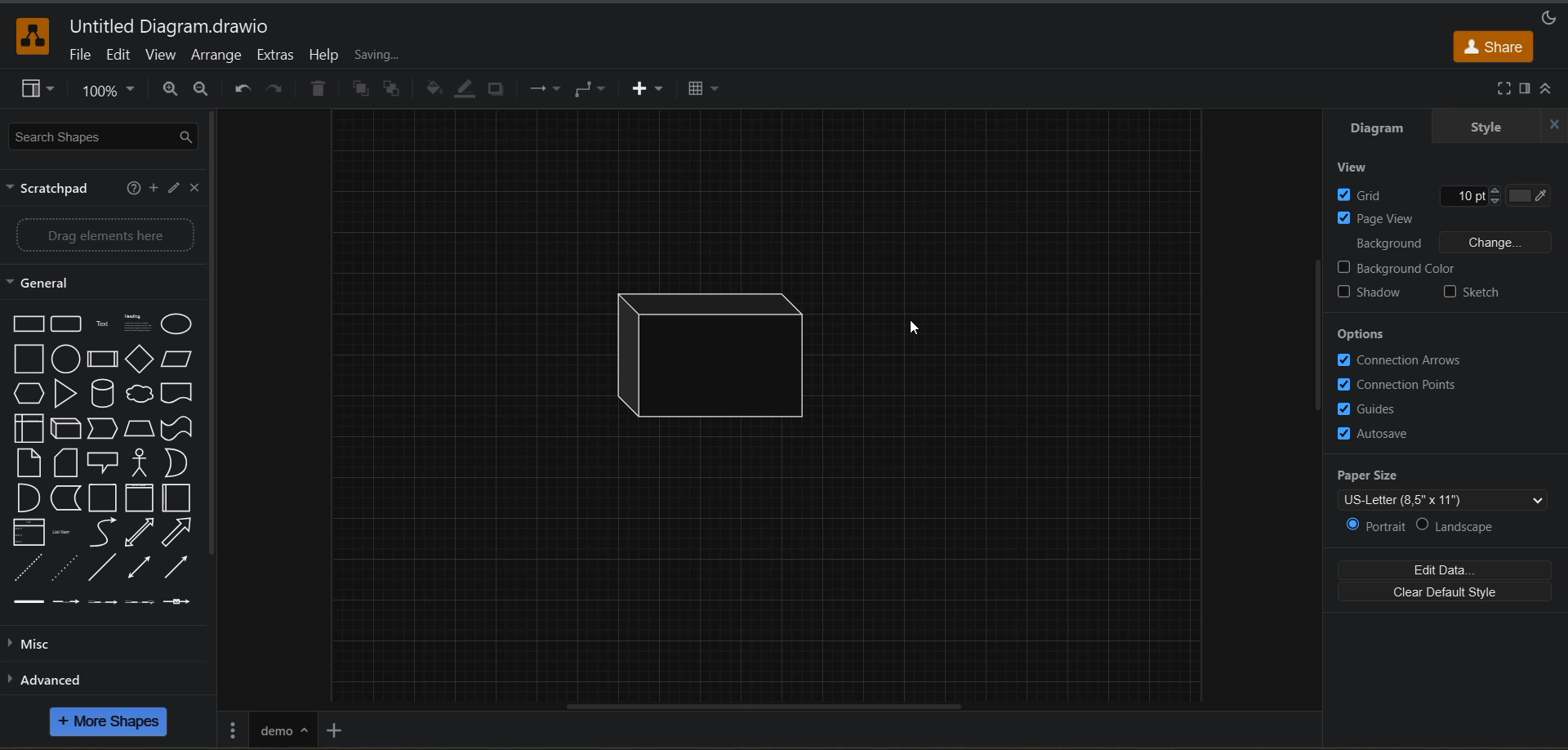 This screenshot has width=1568, height=750. Describe the element at coordinates (101, 460) in the screenshot. I see `shapes` at that location.